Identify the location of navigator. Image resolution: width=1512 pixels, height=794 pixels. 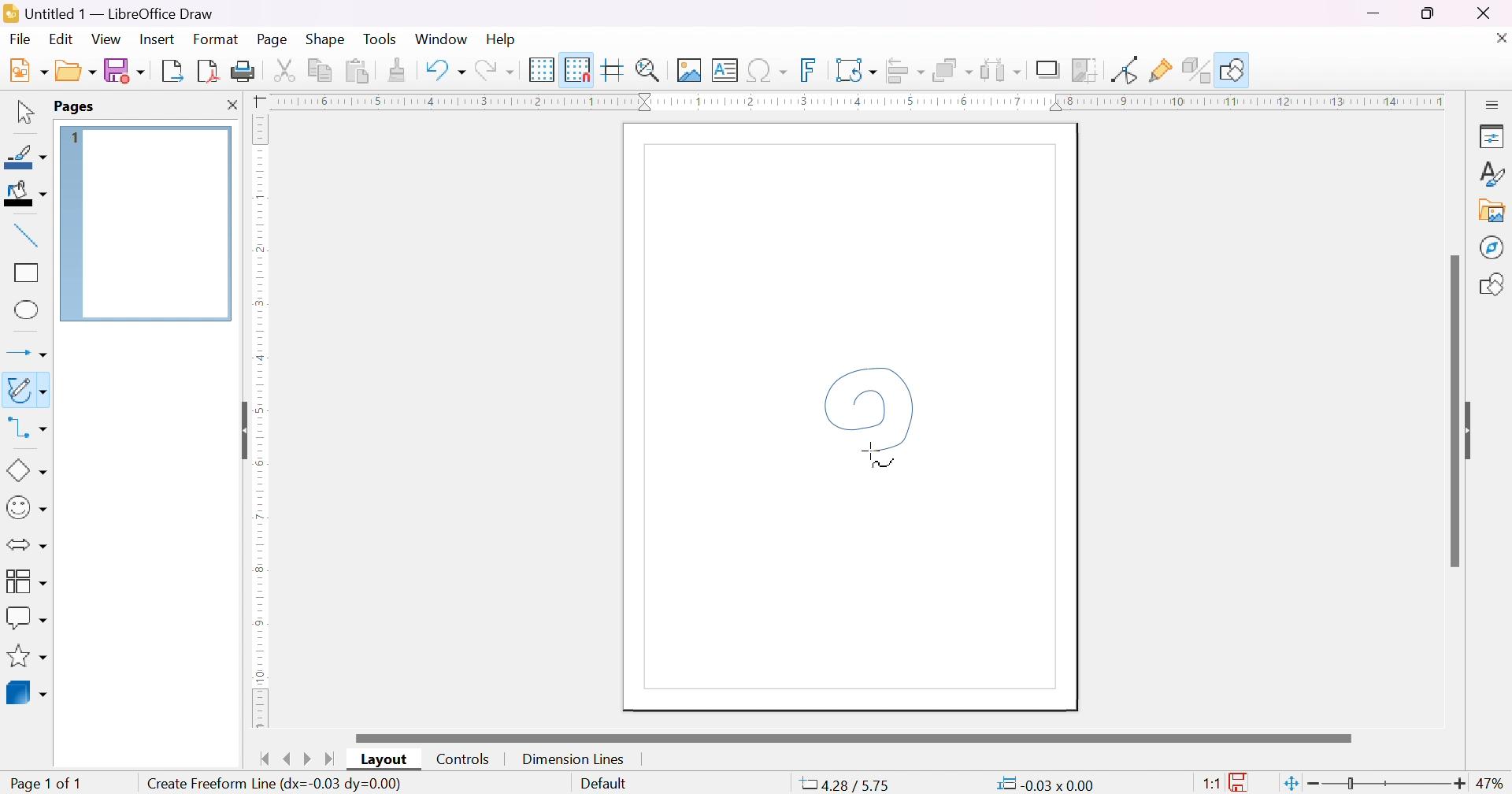
(1493, 247).